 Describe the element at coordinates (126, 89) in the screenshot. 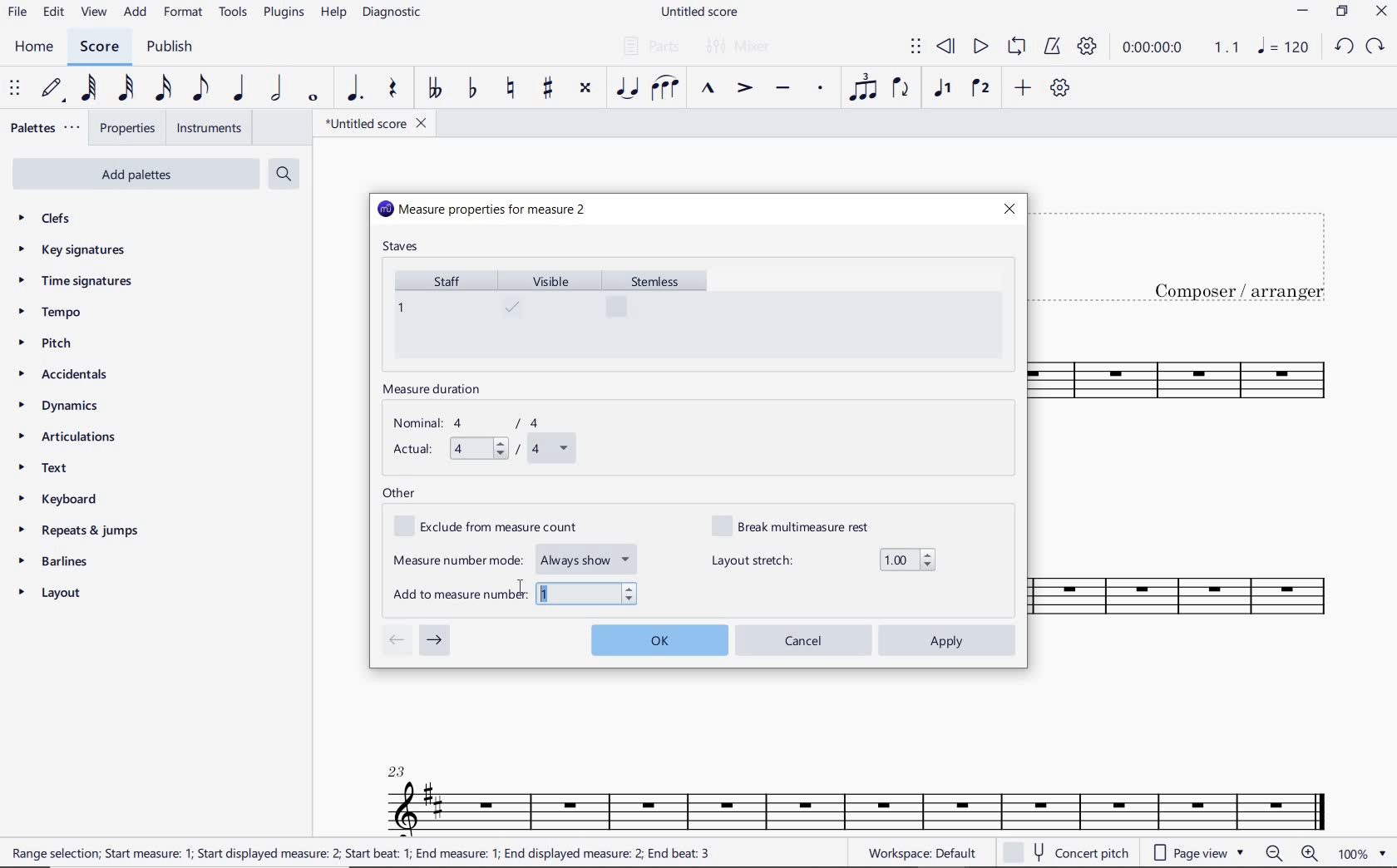

I see `32ND NOTE` at that location.